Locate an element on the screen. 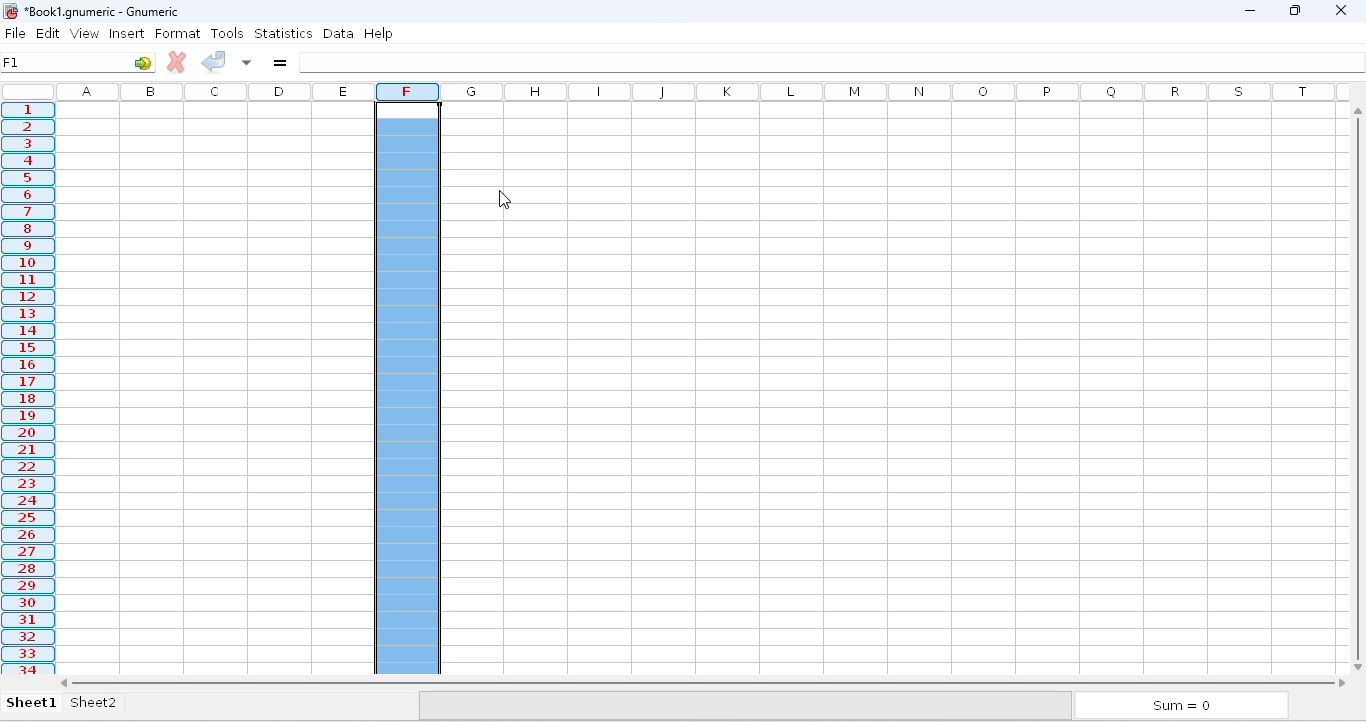  selected column is located at coordinates (31, 389).